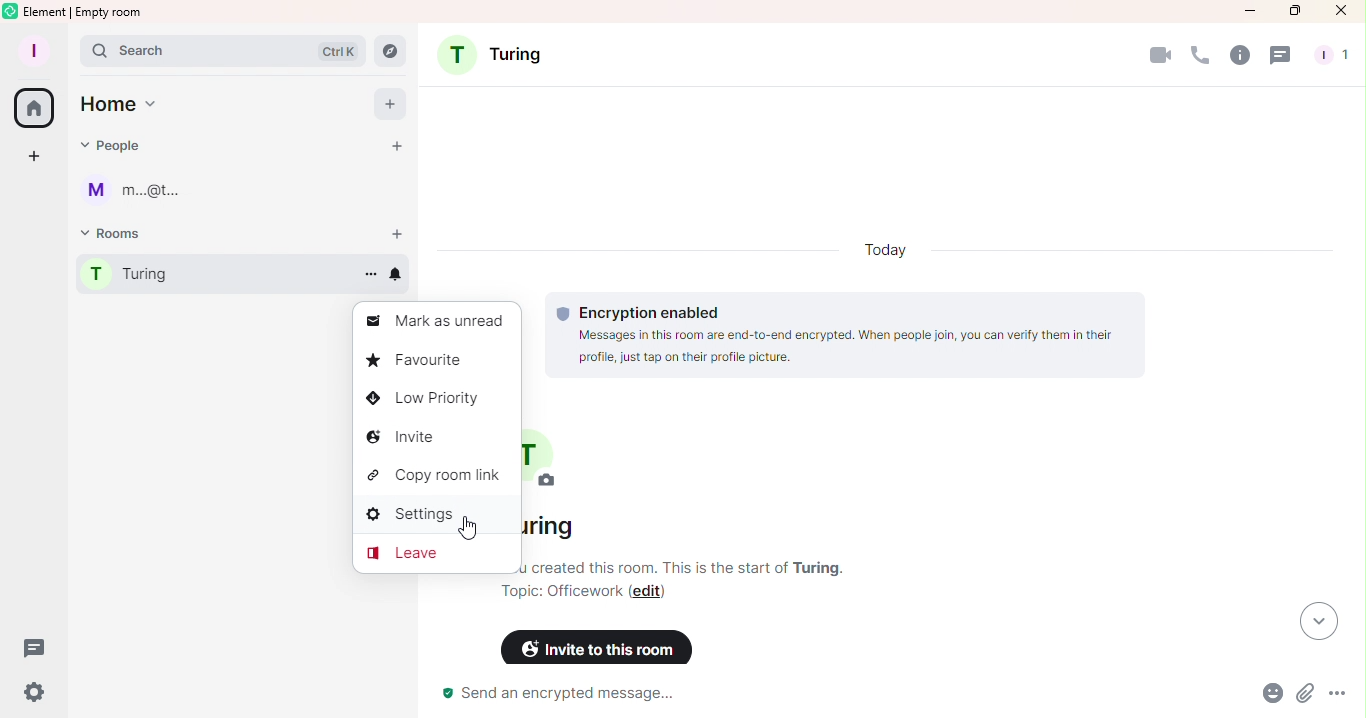 The image size is (1366, 718). Describe the element at coordinates (43, 651) in the screenshot. I see `Threads` at that location.